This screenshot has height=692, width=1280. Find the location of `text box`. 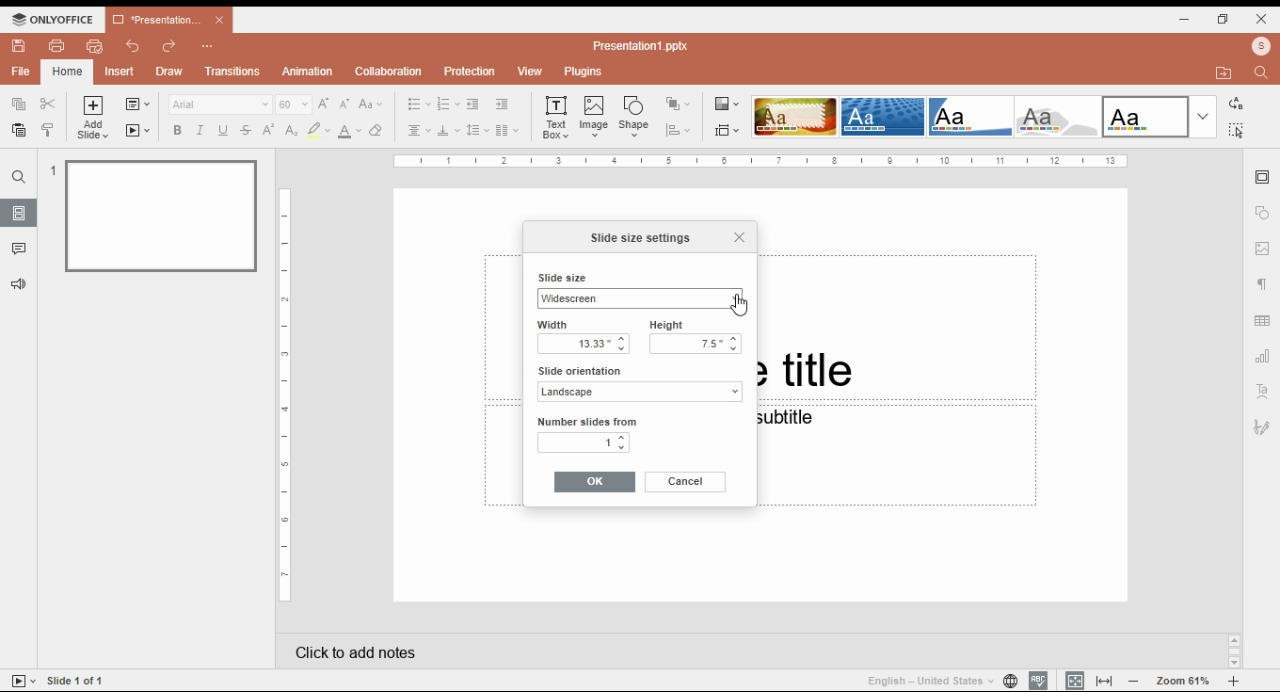

text box is located at coordinates (558, 116).